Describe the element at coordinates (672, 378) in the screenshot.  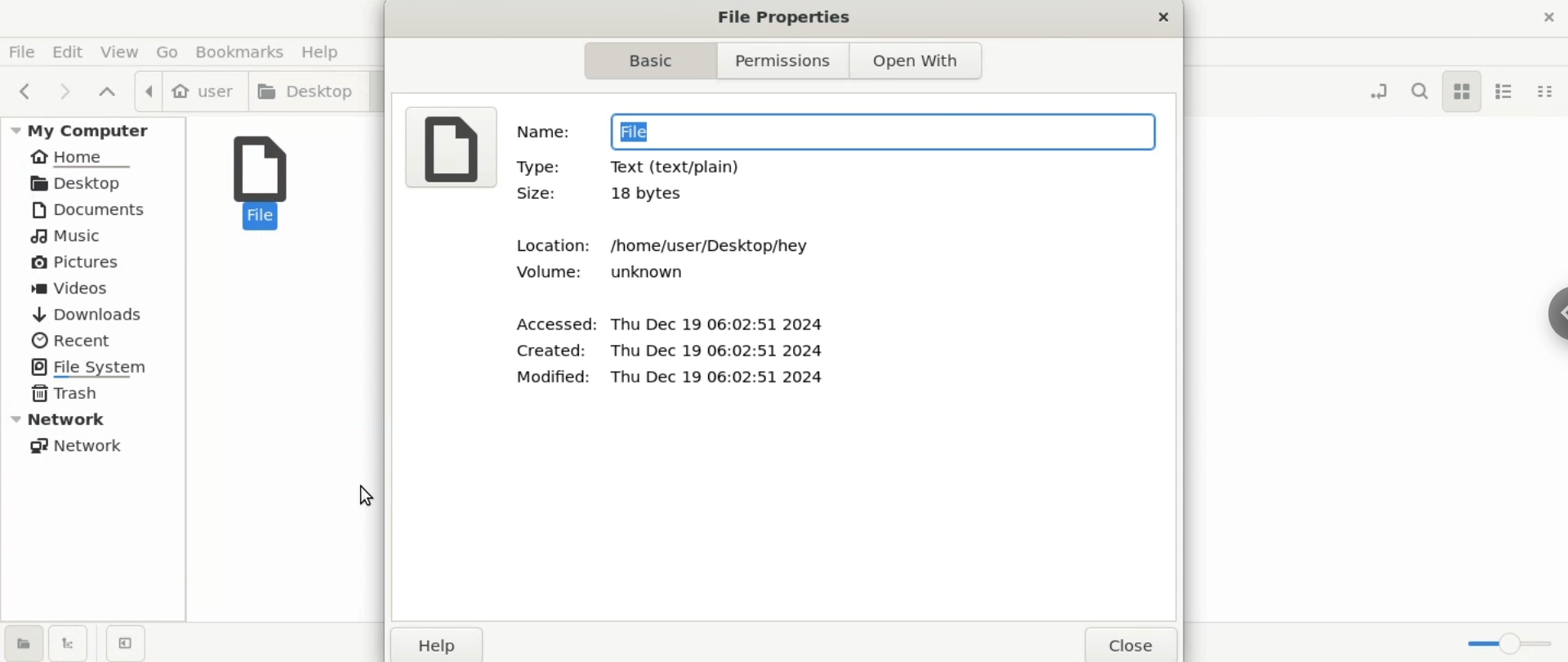
I see `modified: Thu Dec 19:06:02:51 2024` at that location.